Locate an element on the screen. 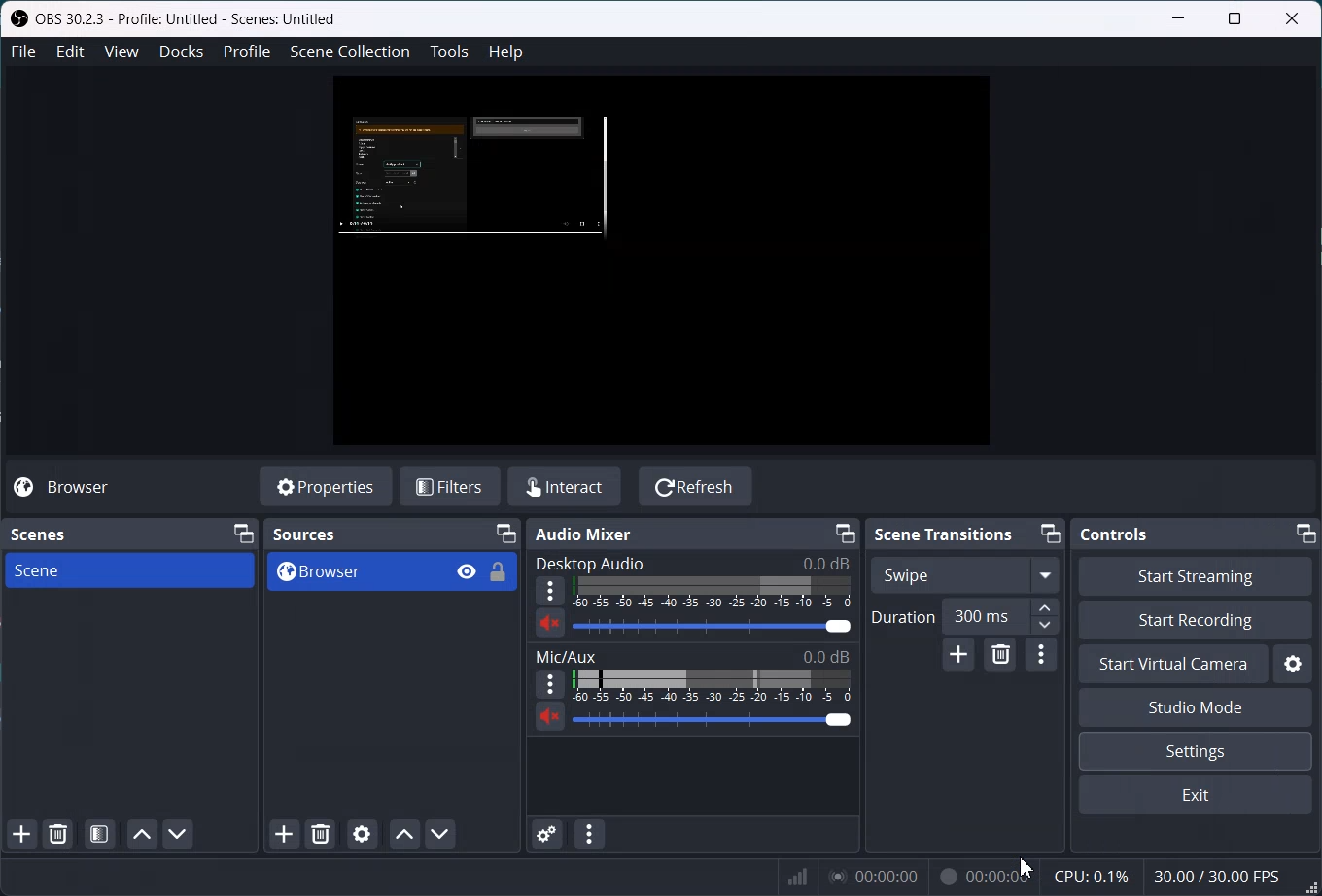 This screenshot has width=1322, height=896. Move Source Down is located at coordinates (440, 834).